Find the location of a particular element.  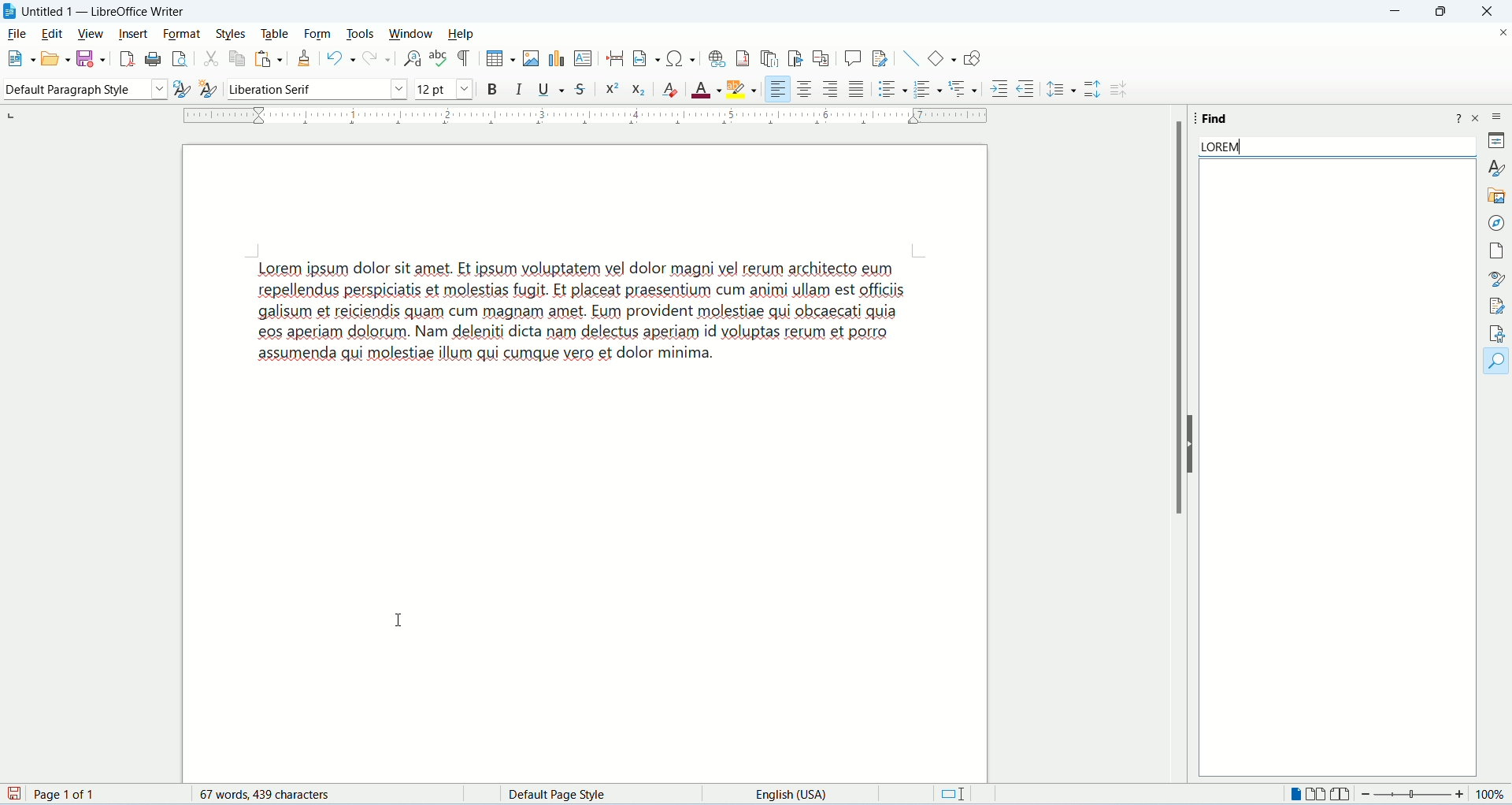

redo is located at coordinates (376, 59).